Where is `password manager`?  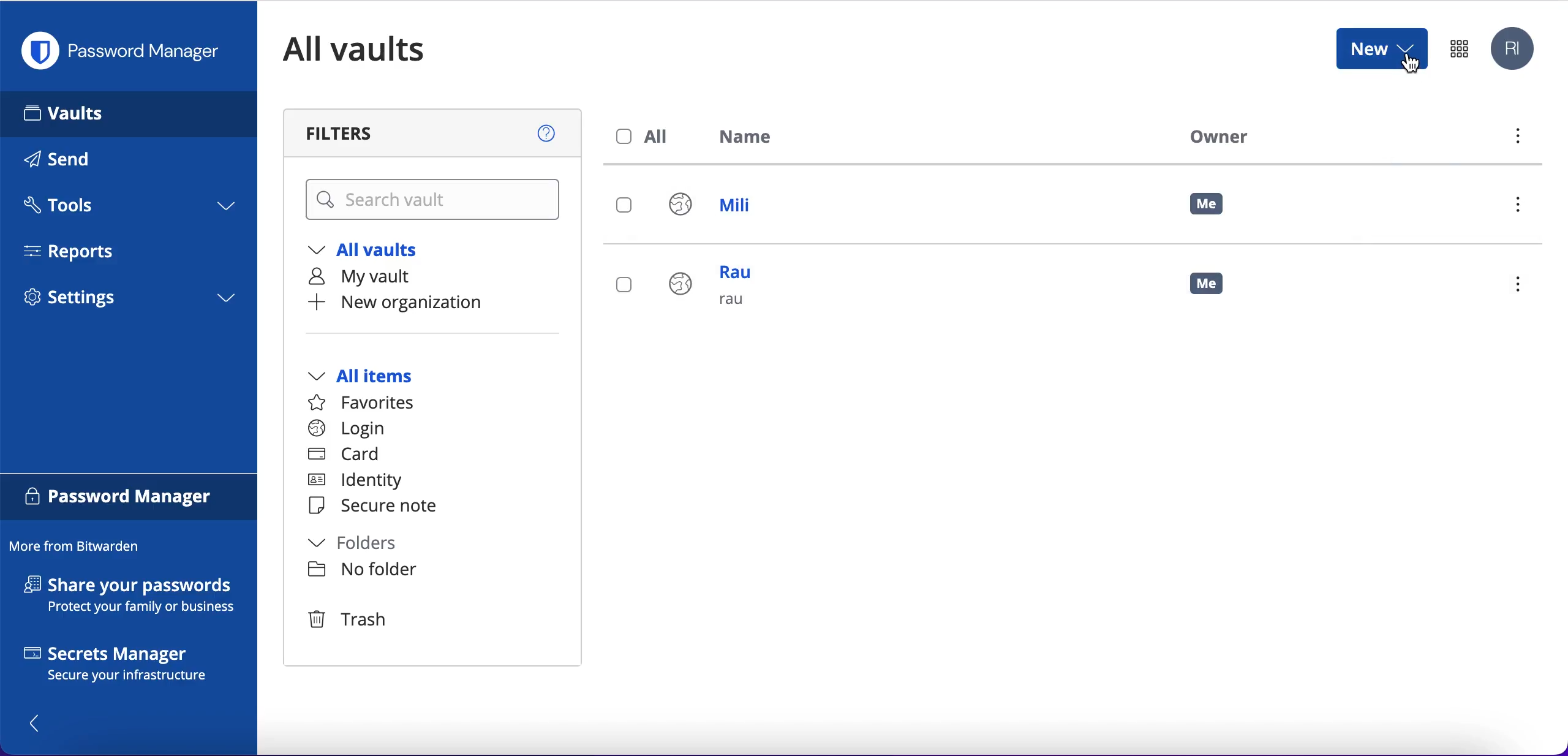 password manager is located at coordinates (1459, 48).